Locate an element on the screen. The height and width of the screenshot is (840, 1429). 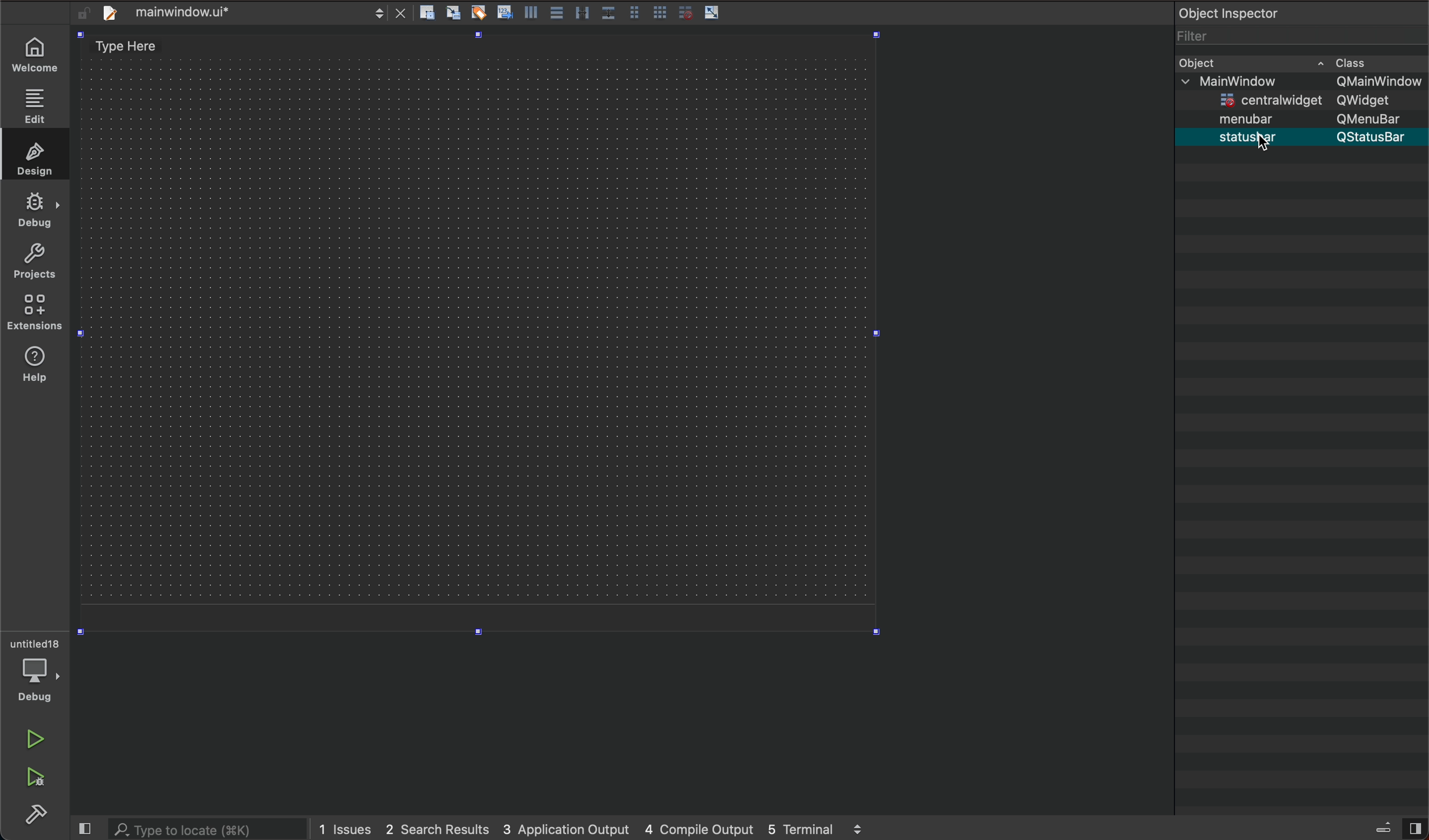
untitled is located at coordinates (34, 641).